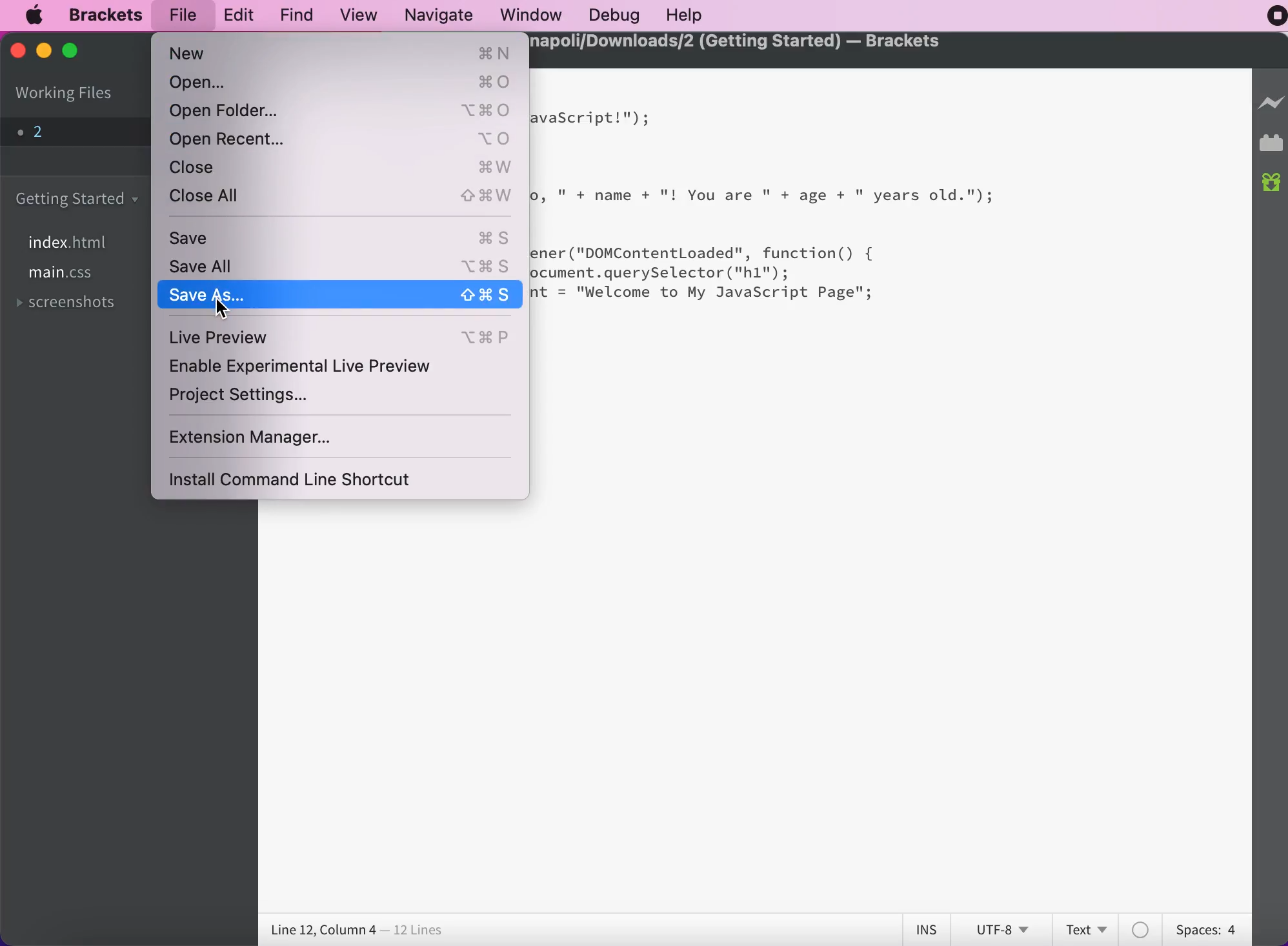 The height and width of the screenshot is (946, 1288). Describe the element at coordinates (342, 83) in the screenshot. I see `open` at that location.